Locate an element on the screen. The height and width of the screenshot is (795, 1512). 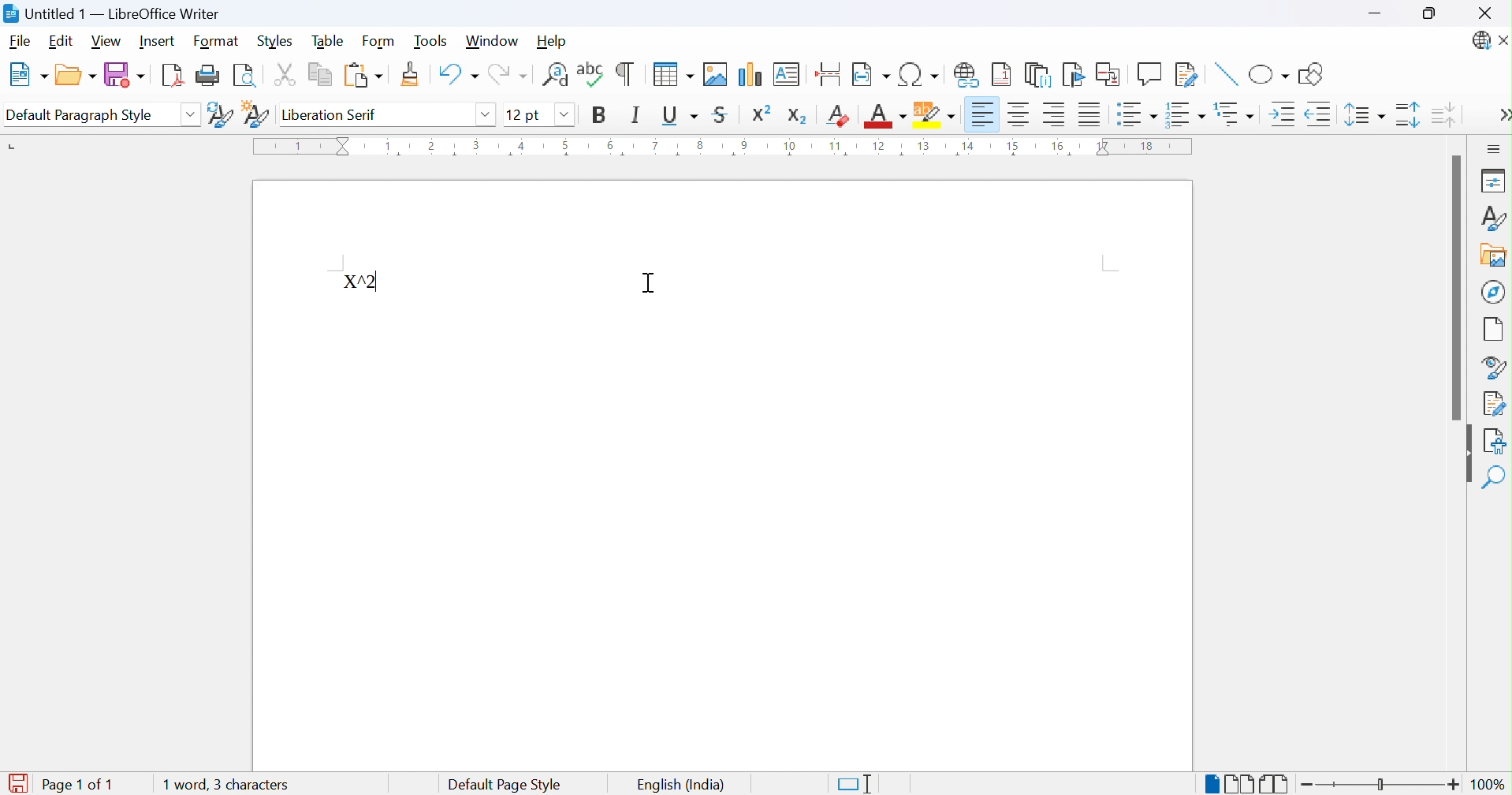
Styles is located at coordinates (275, 39).